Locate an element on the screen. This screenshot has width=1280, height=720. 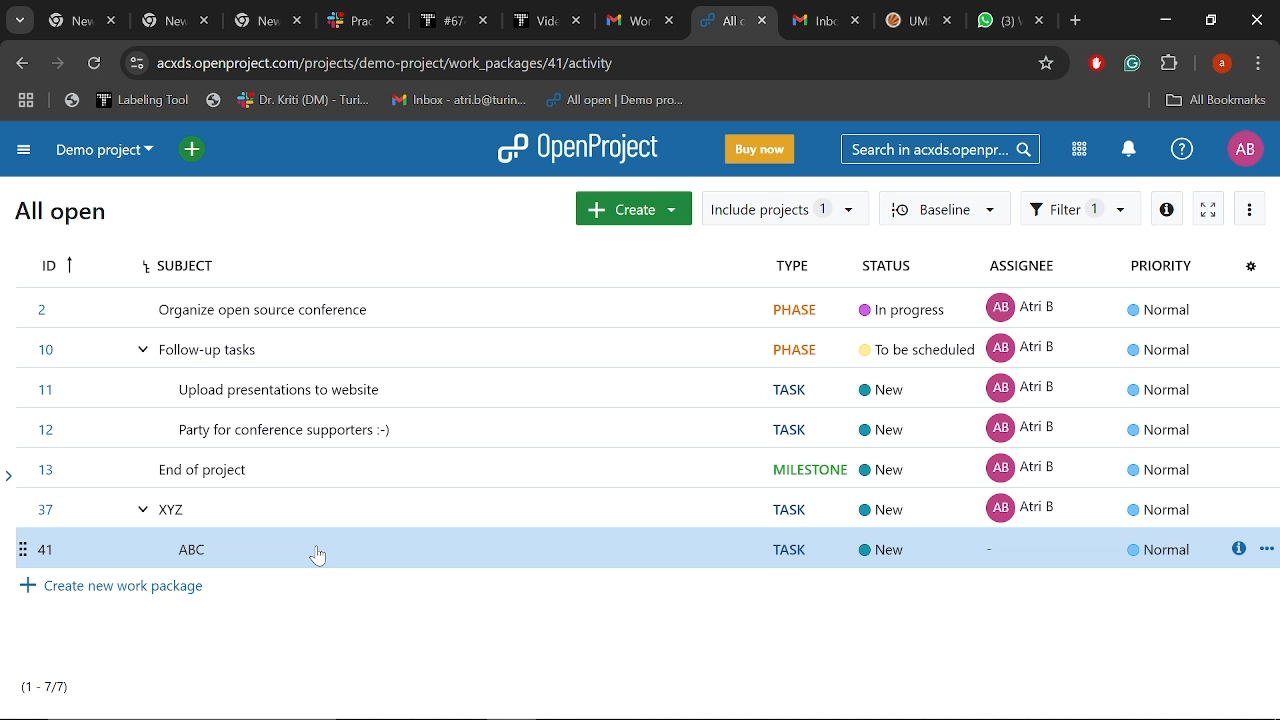
All bookmarks is located at coordinates (1212, 100).